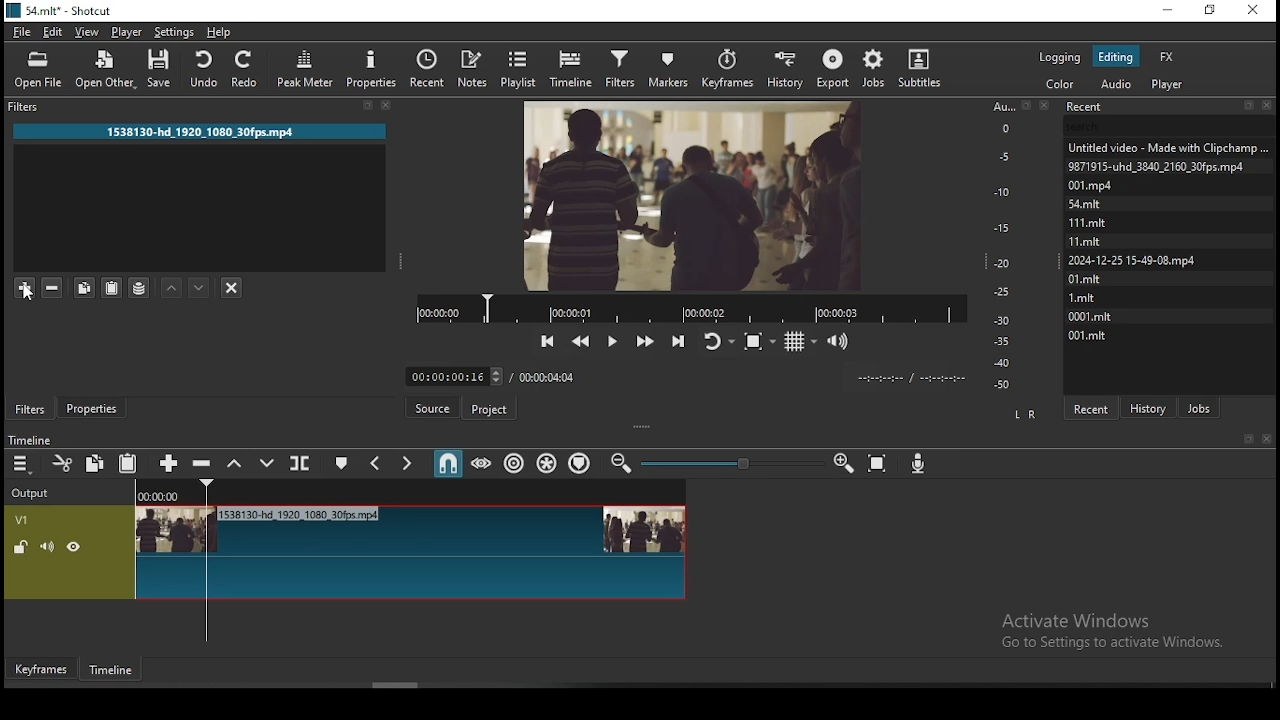 This screenshot has width=1280, height=720. I want to click on 1.mlt, so click(1086, 297).